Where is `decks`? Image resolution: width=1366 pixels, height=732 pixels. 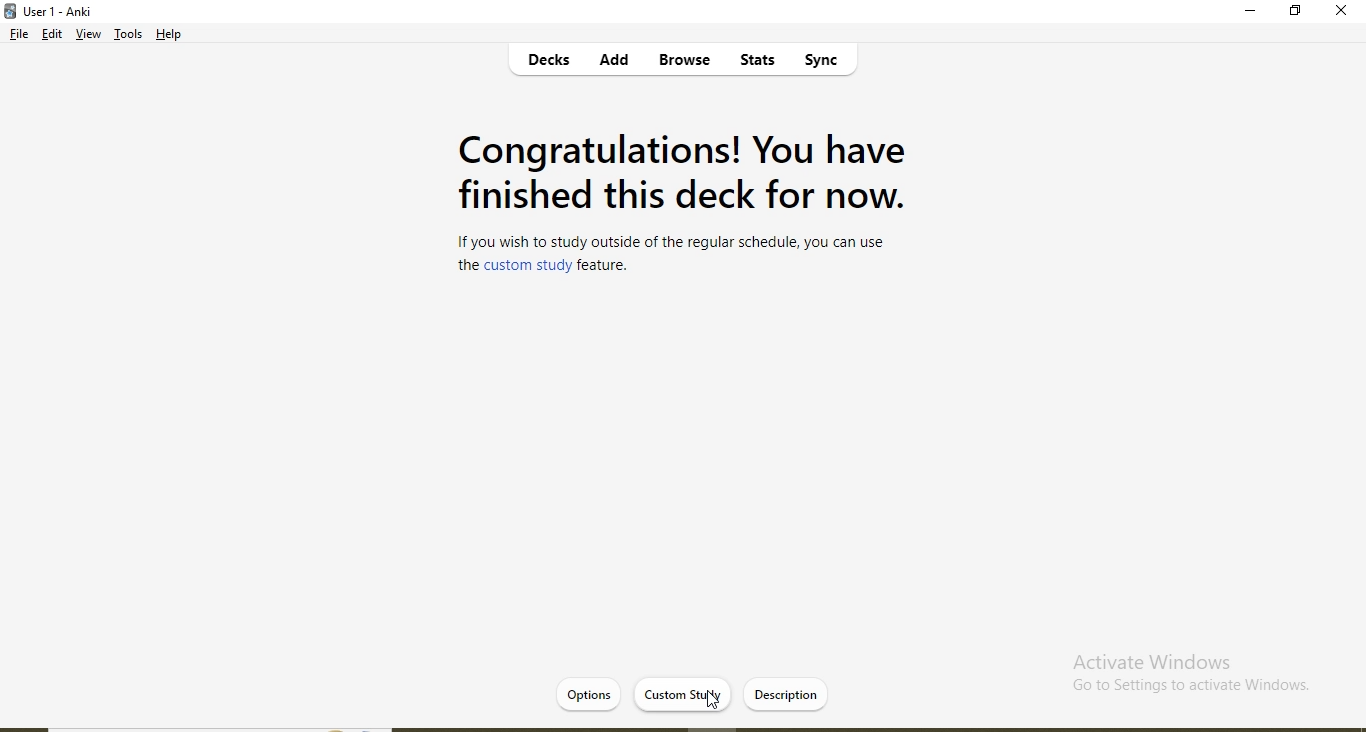 decks is located at coordinates (552, 63).